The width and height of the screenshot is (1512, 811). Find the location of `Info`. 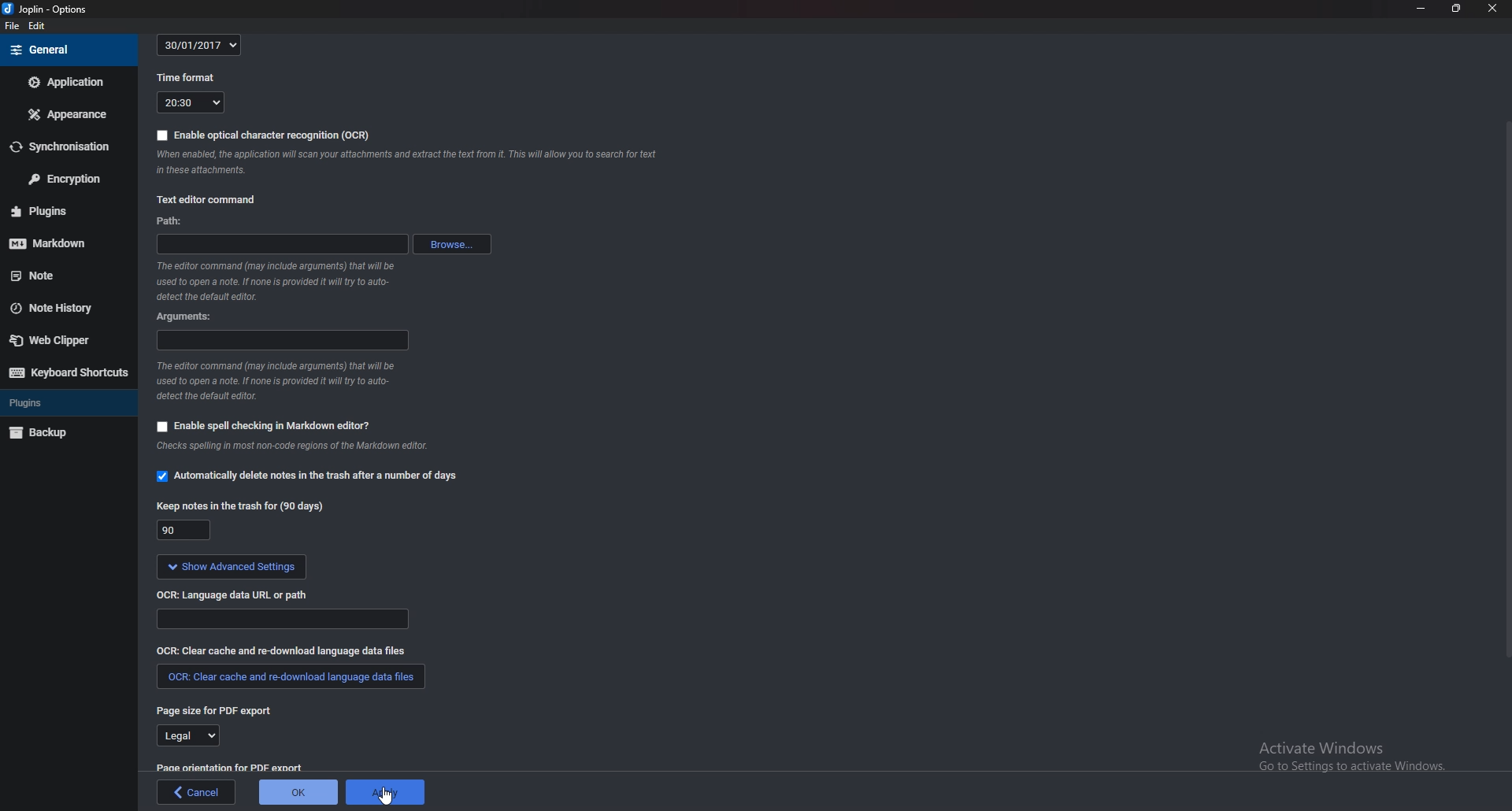

Info is located at coordinates (282, 280).